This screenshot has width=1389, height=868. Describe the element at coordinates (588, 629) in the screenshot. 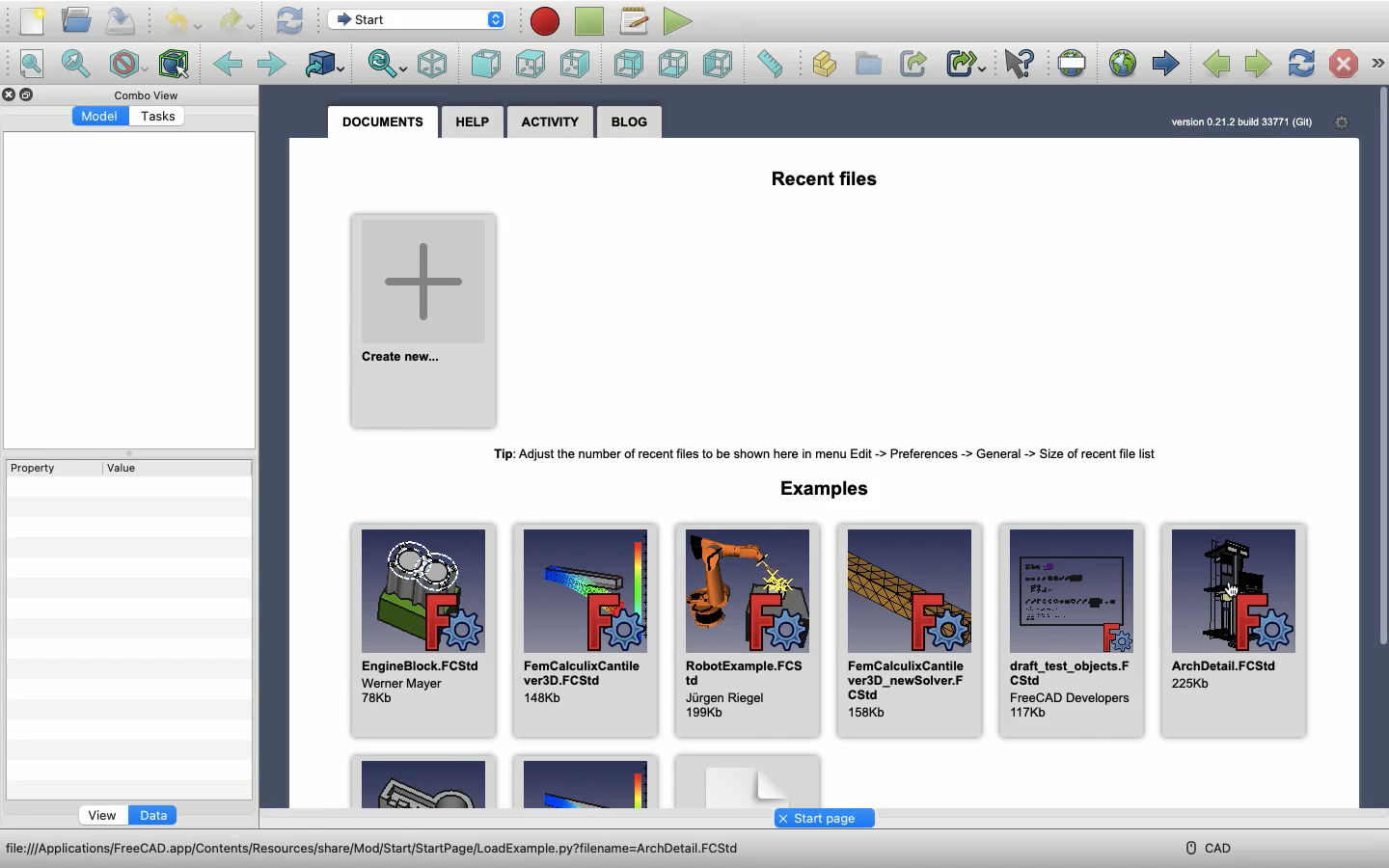

I see `FemCalculixCantilever3D.FCStd` at that location.